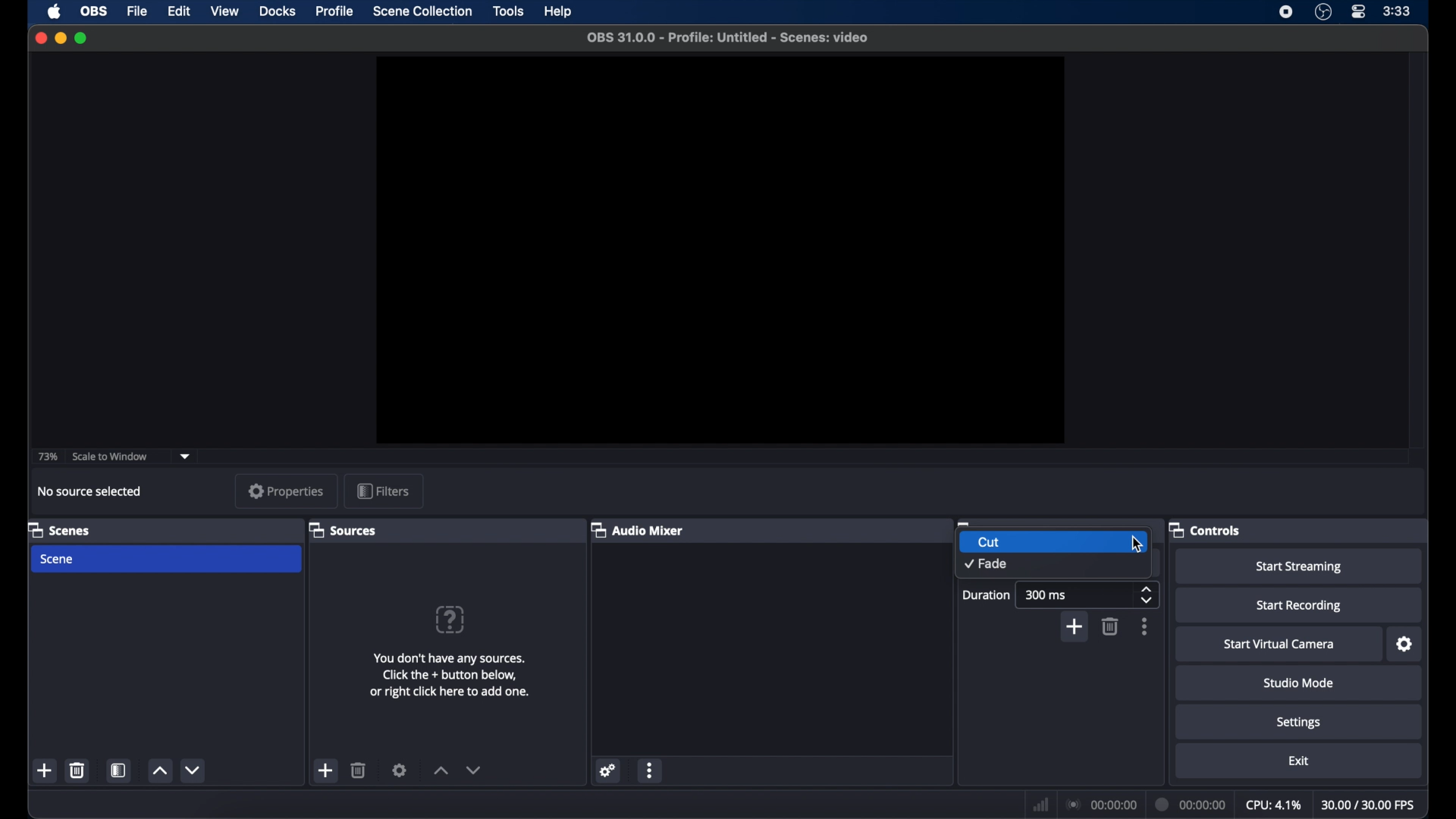  I want to click on settings, so click(609, 770).